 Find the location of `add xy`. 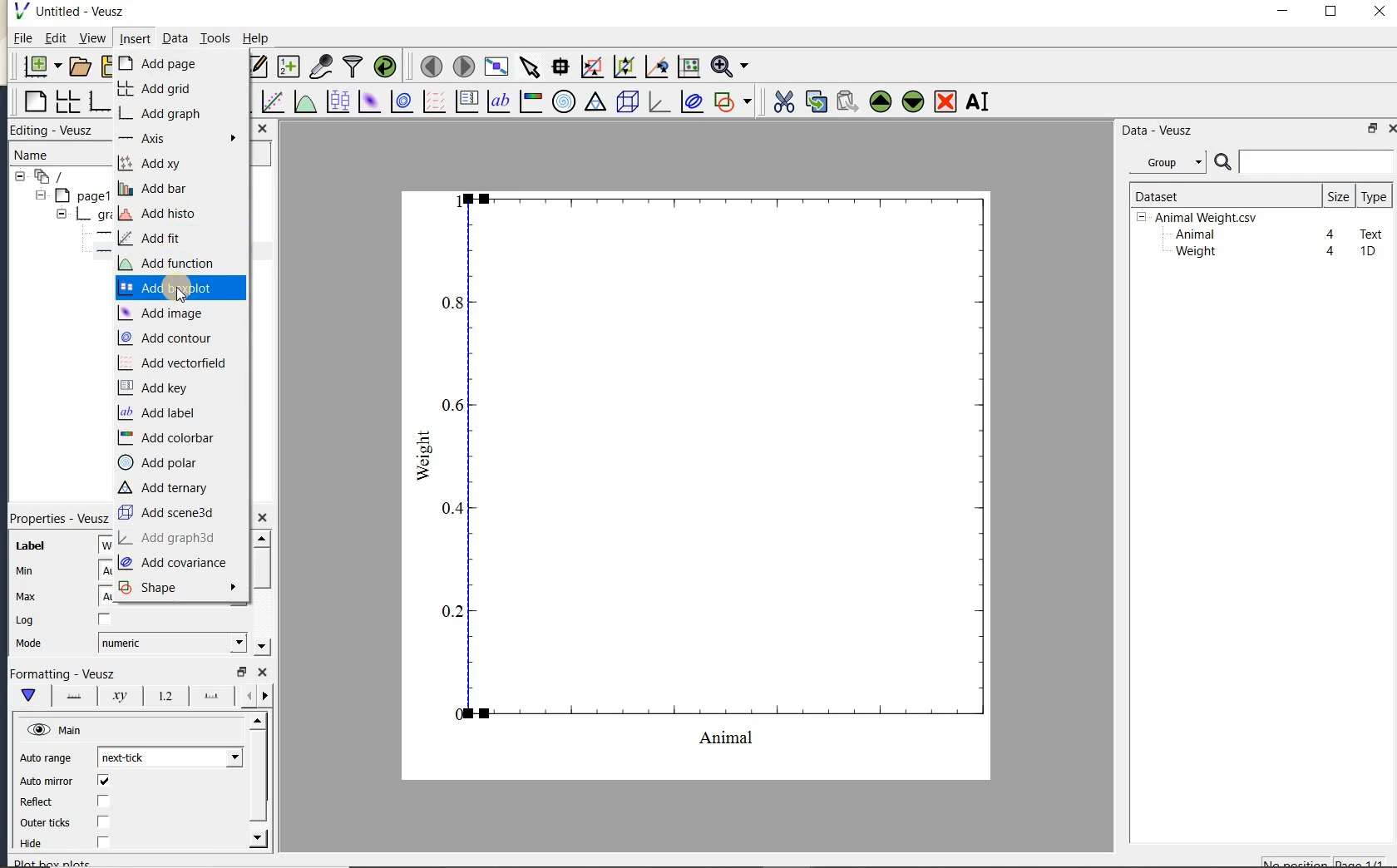

add xy is located at coordinates (152, 163).